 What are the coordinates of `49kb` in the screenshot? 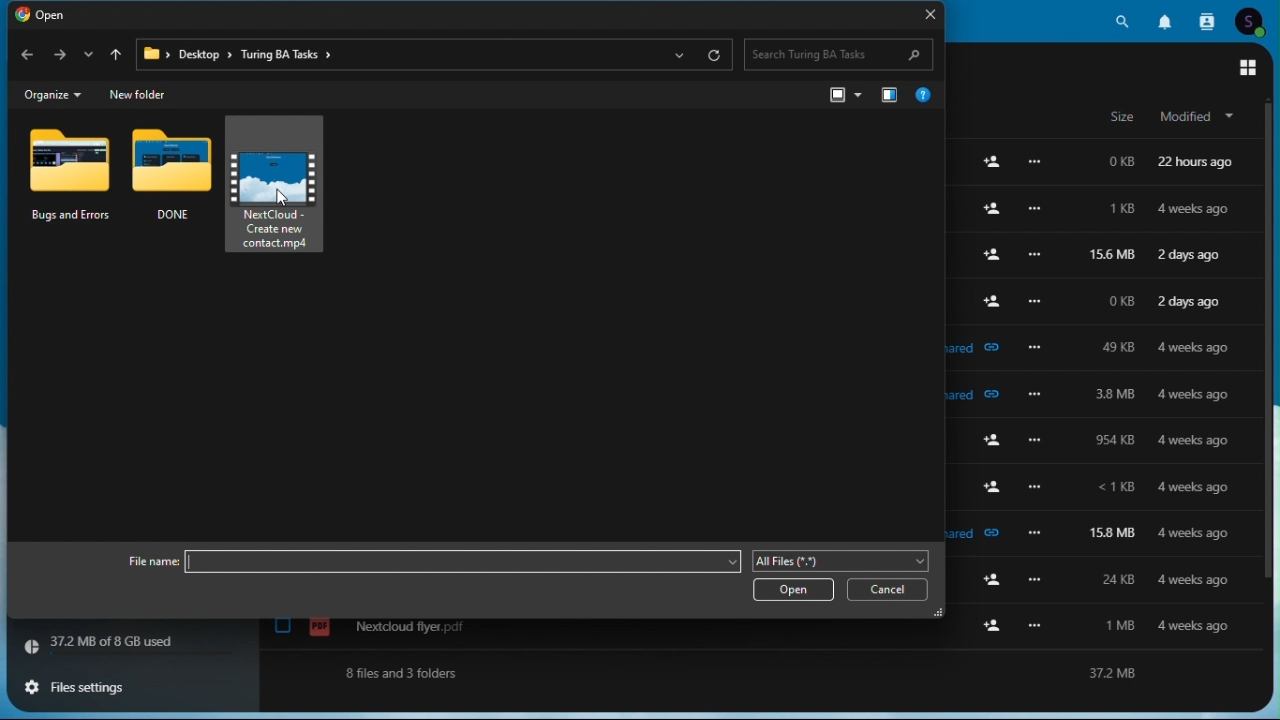 It's located at (1116, 347).